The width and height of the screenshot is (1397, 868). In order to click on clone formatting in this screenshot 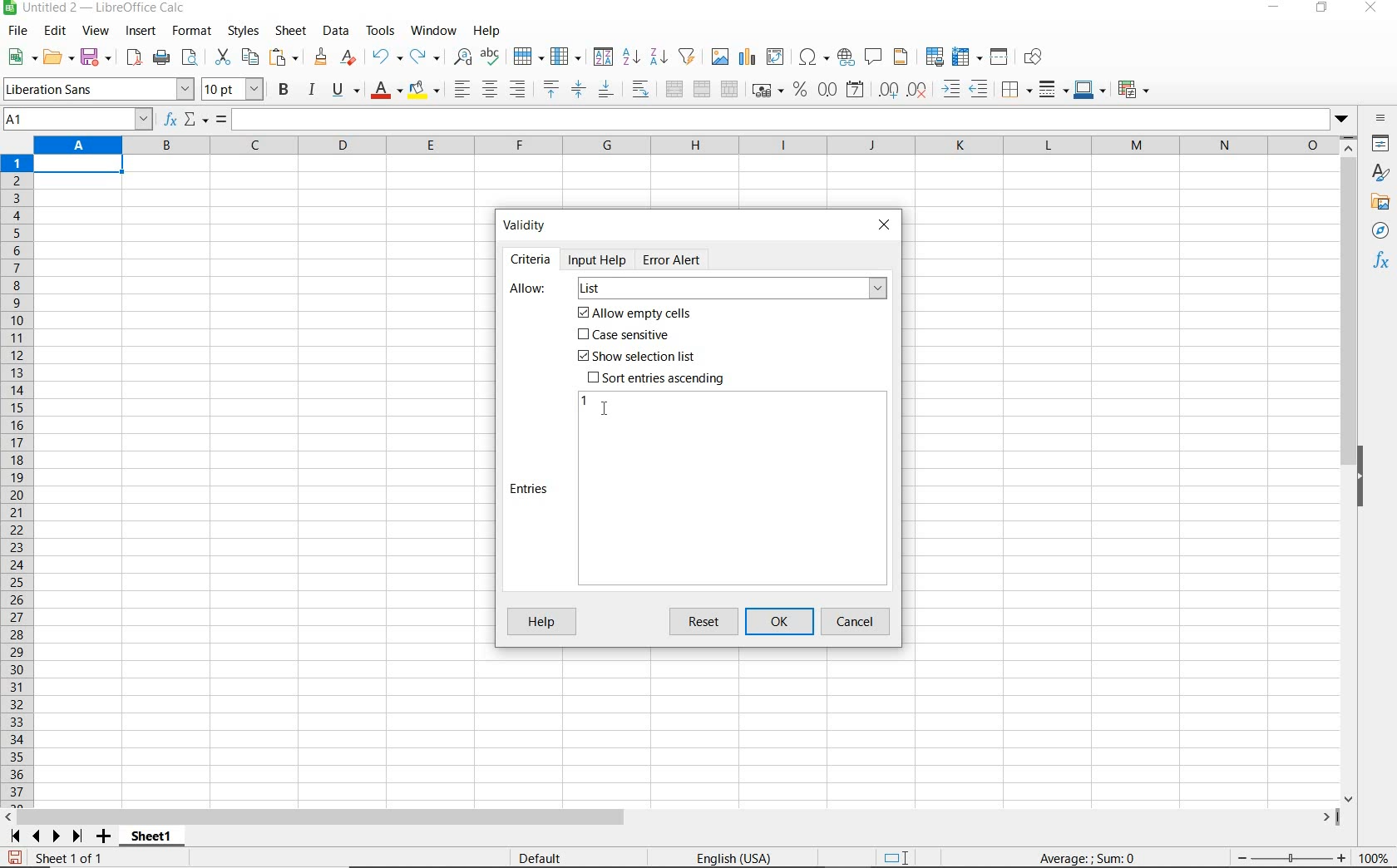, I will do `click(322, 57)`.